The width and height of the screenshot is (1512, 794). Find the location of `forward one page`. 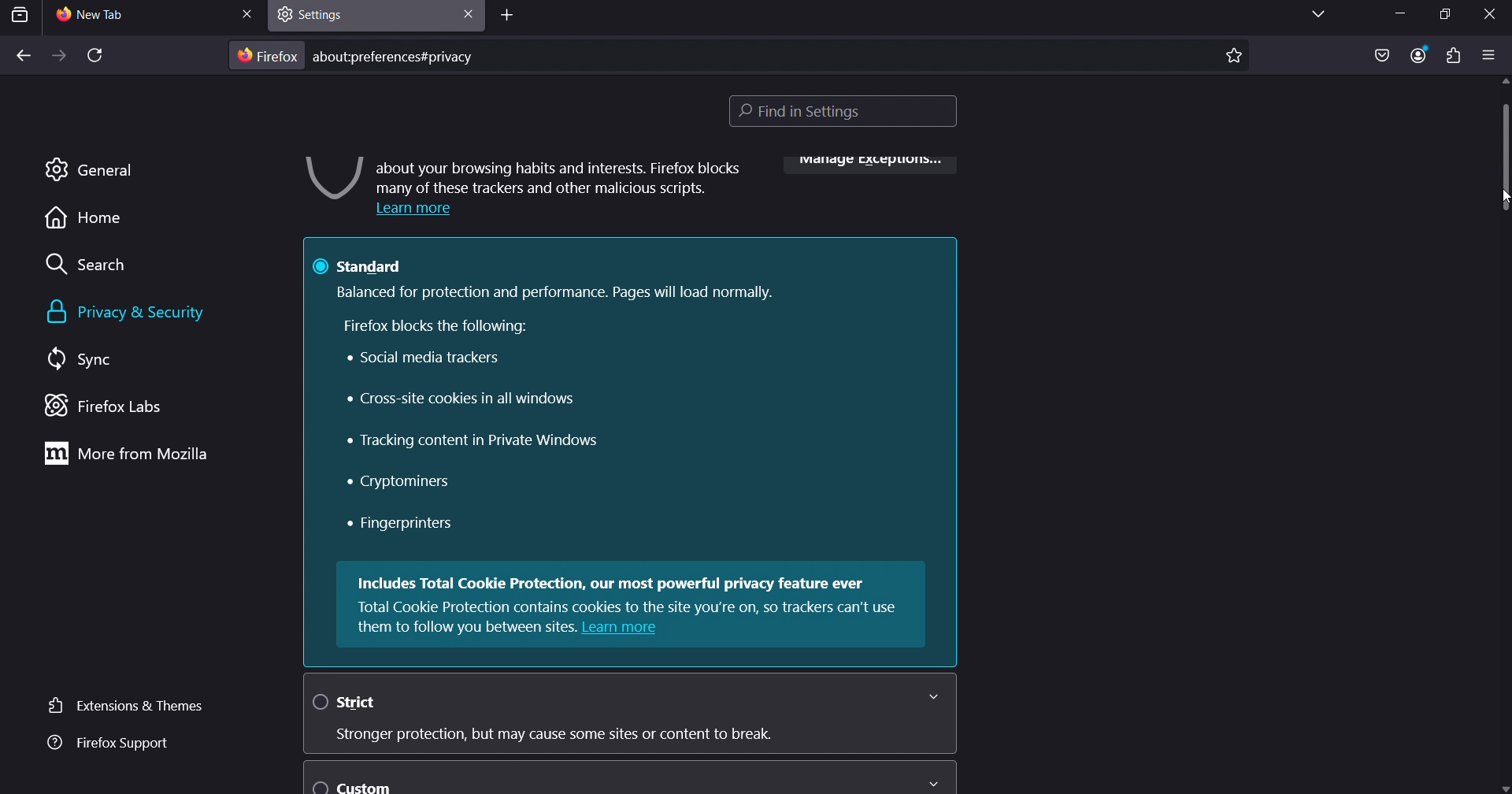

forward one page is located at coordinates (57, 57).